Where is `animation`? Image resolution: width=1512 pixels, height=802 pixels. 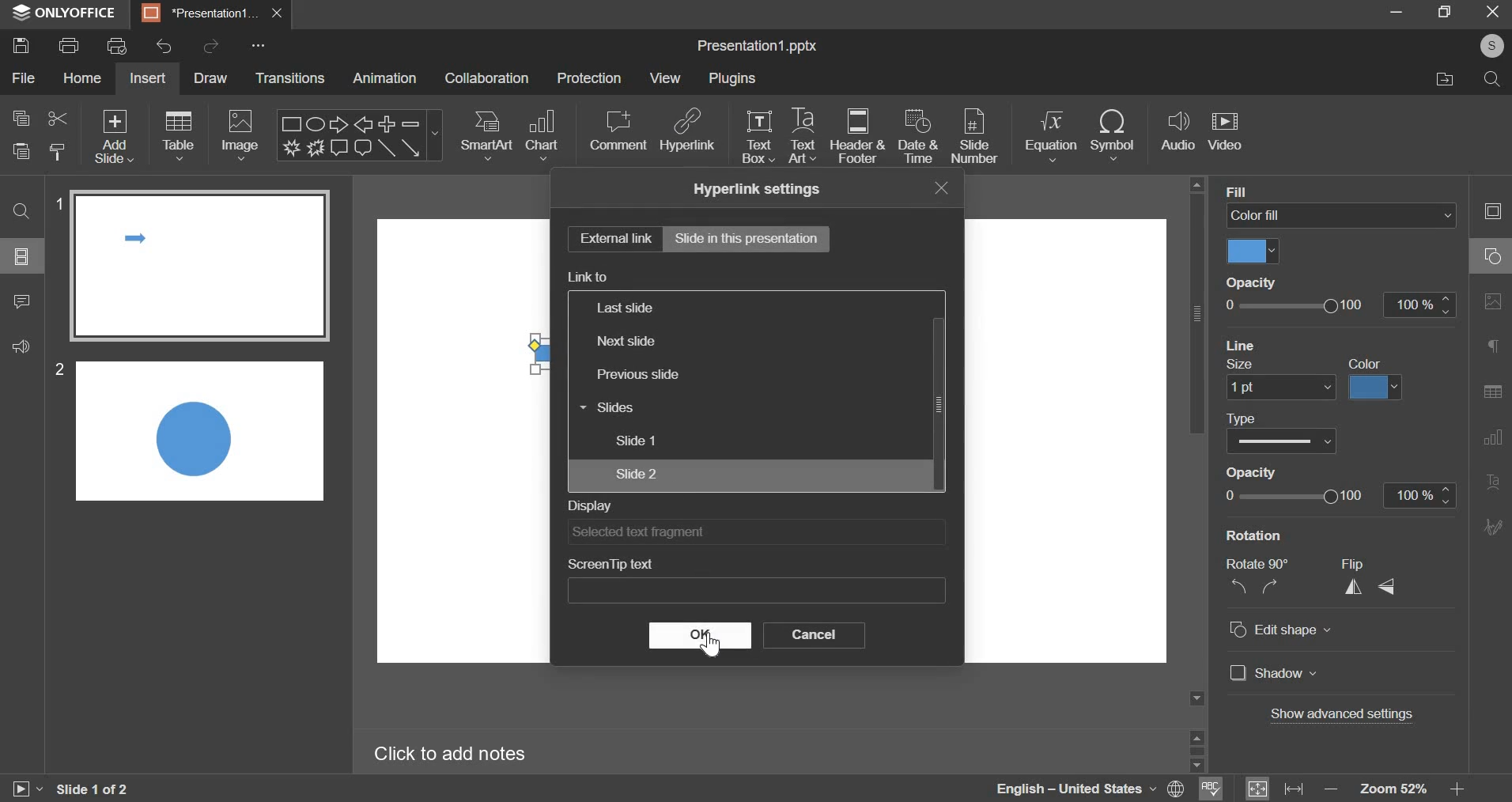
animation is located at coordinates (385, 78).